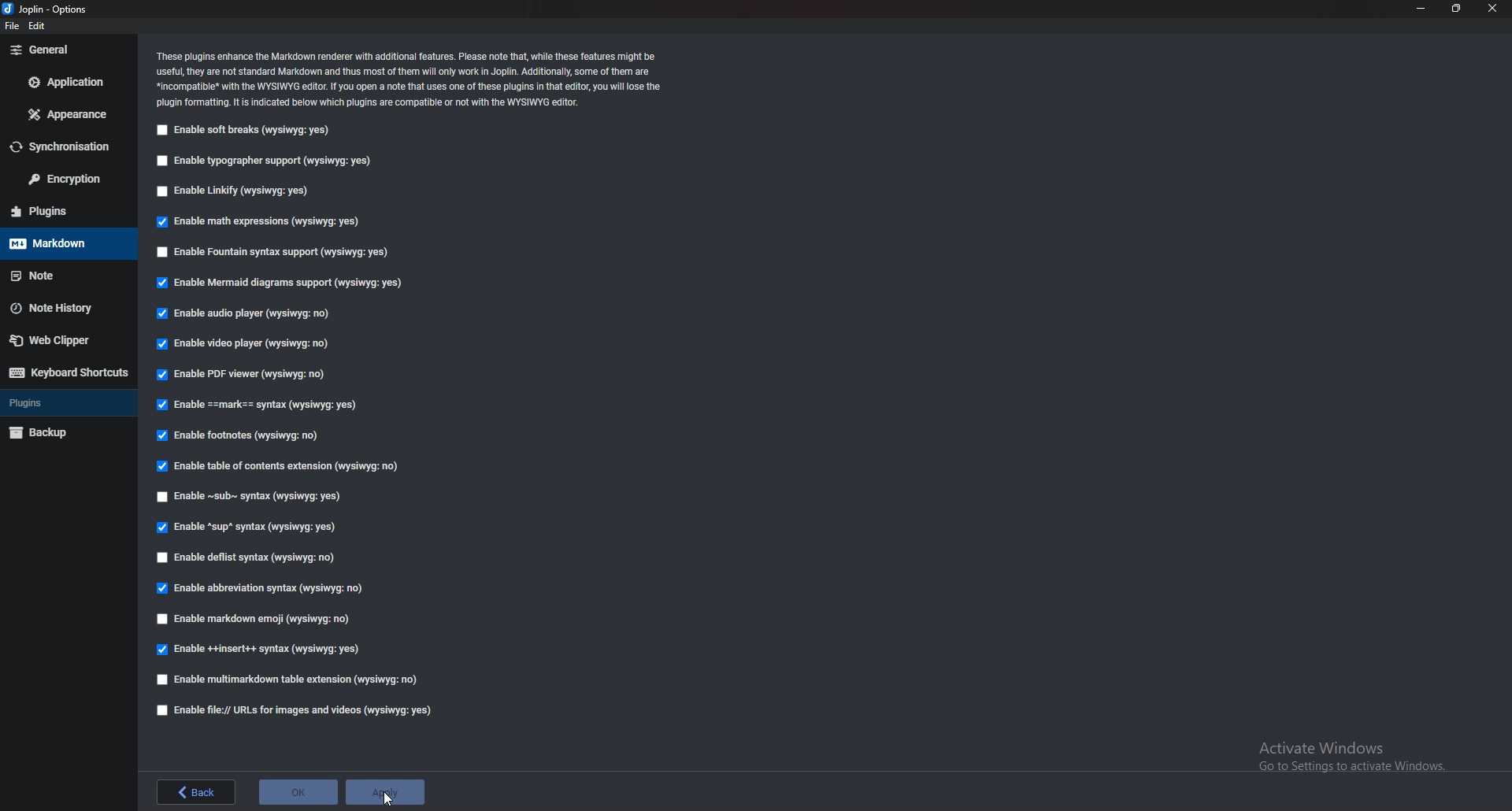  What do you see at coordinates (248, 528) in the screenshot?
I see `Enable sup syntax` at bounding box center [248, 528].